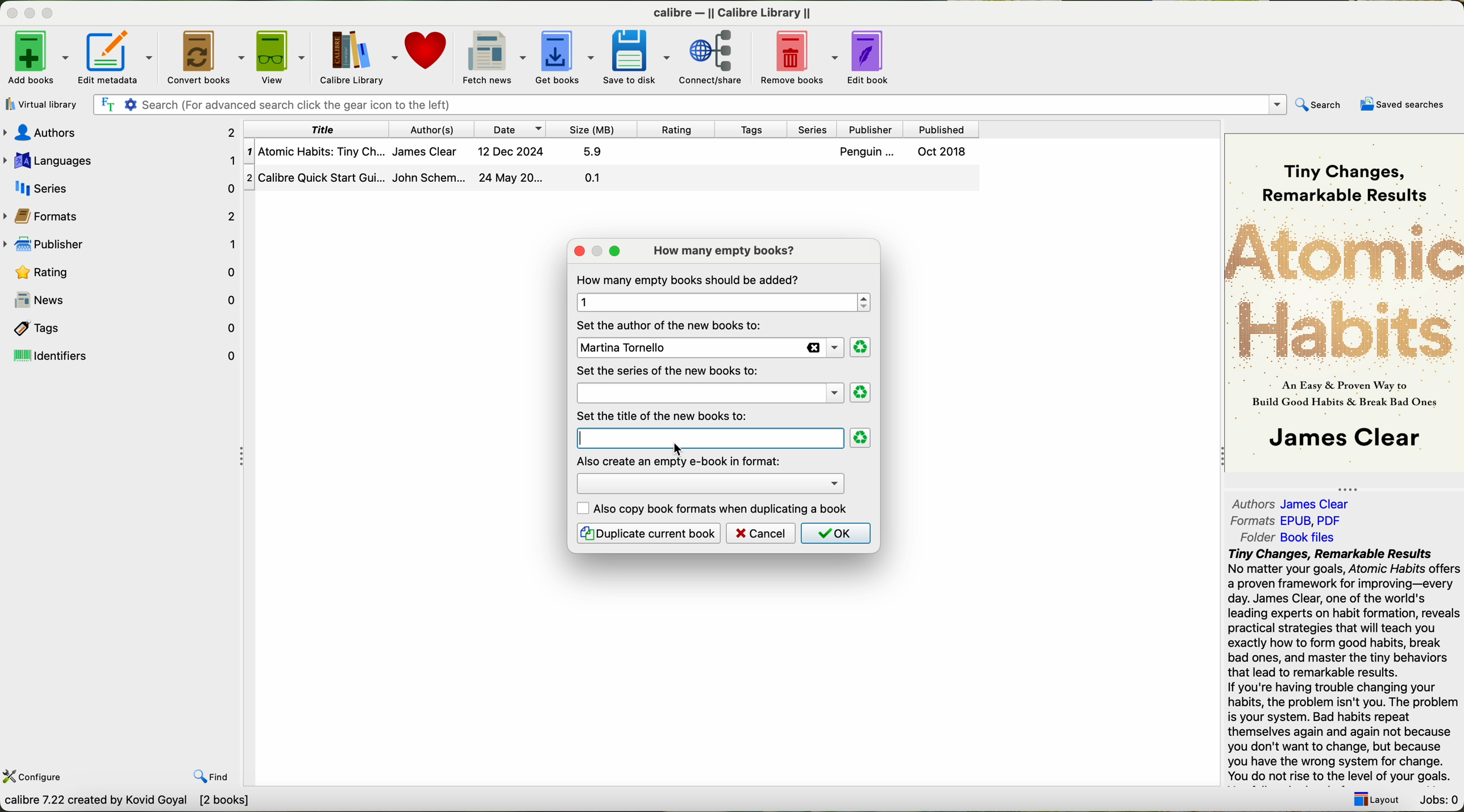 The height and width of the screenshot is (812, 1464). What do you see at coordinates (608, 437) in the screenshot?
I see `typing` at bounding box center [608, 437].